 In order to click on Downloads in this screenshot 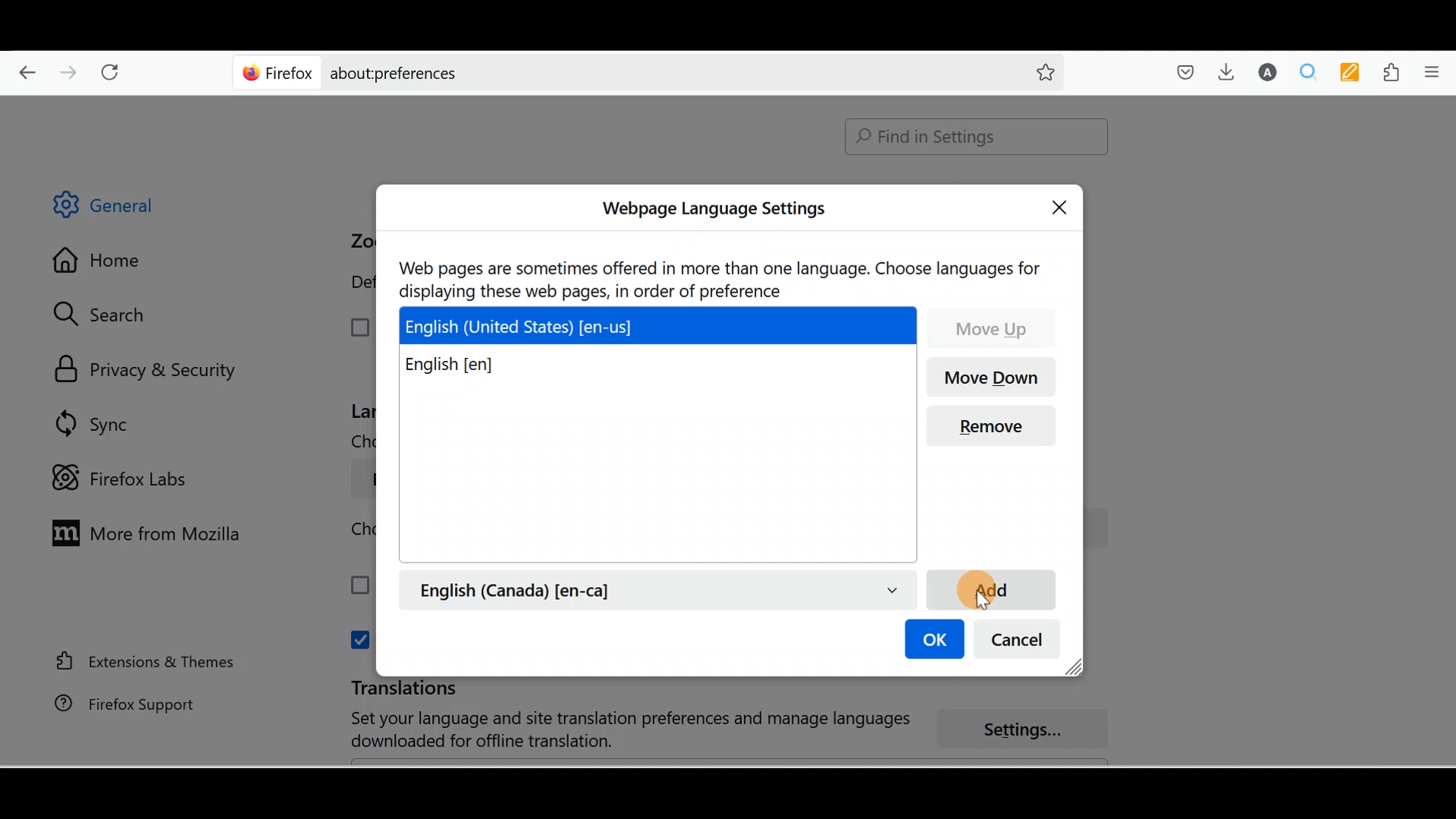, I will do `click(1222, 71)`.